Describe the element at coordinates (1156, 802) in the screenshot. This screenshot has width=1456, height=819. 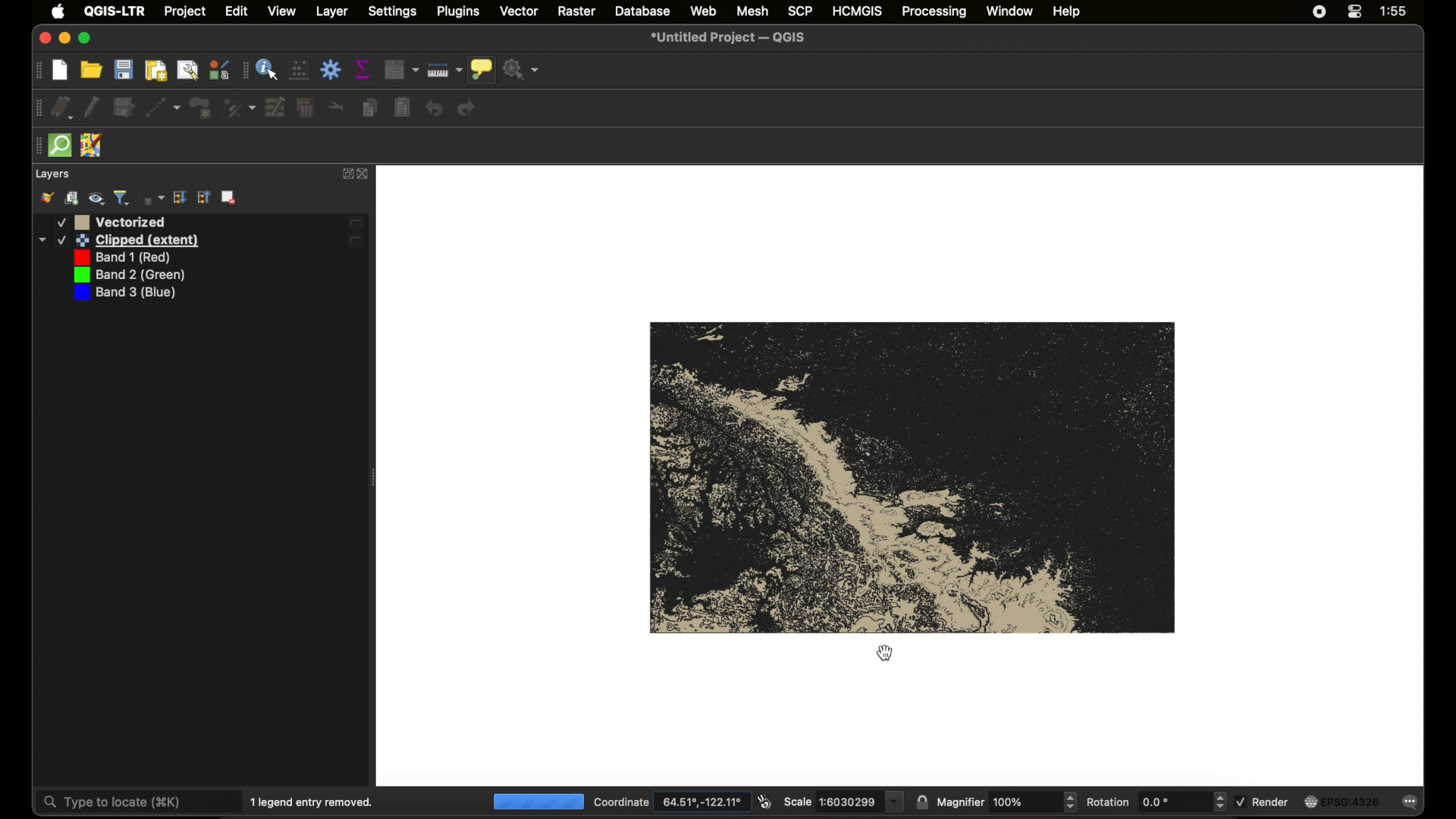
I see `rotation` at that location.